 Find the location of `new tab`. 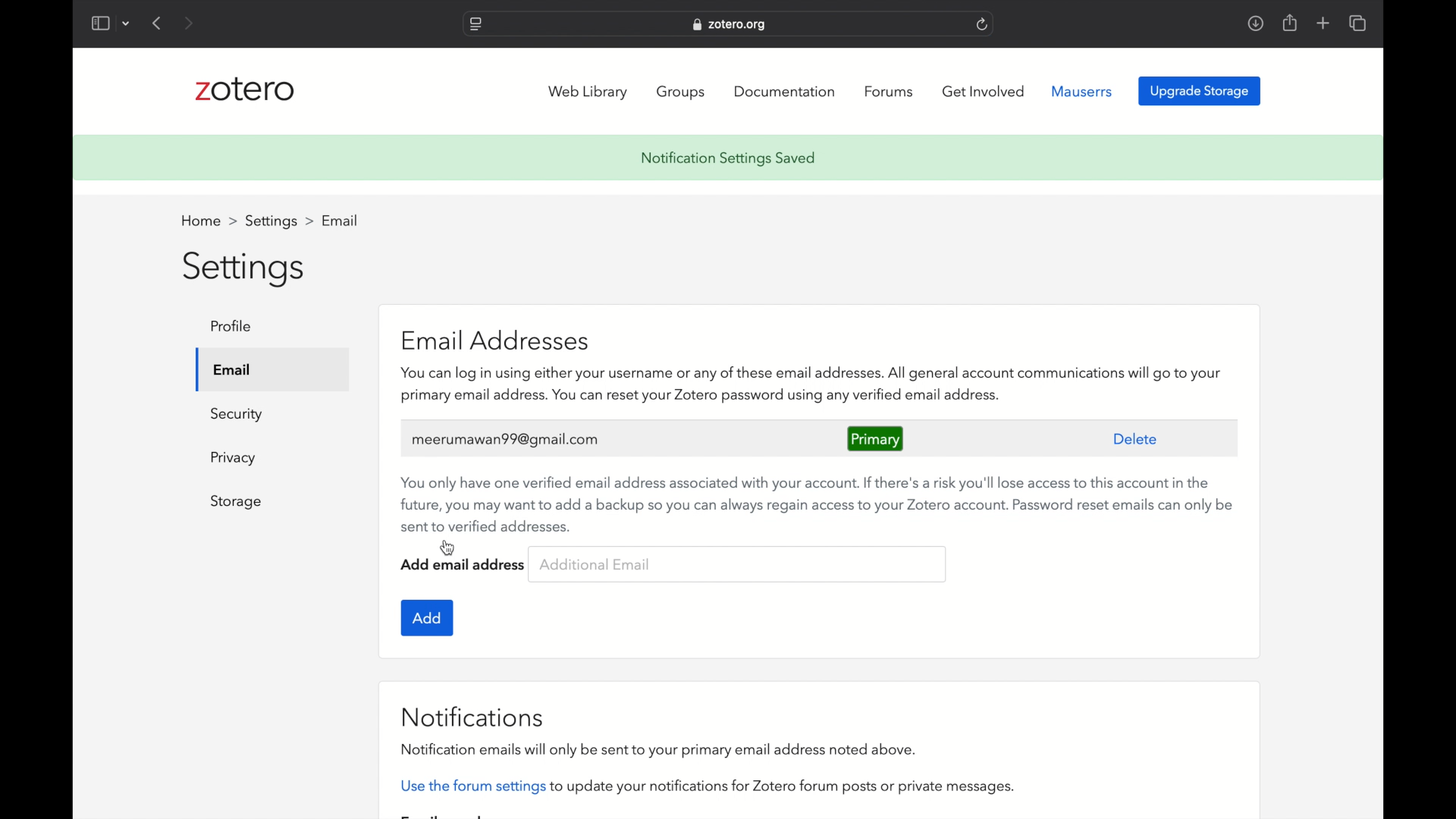

new tab is located at coordinates (1323, 24).